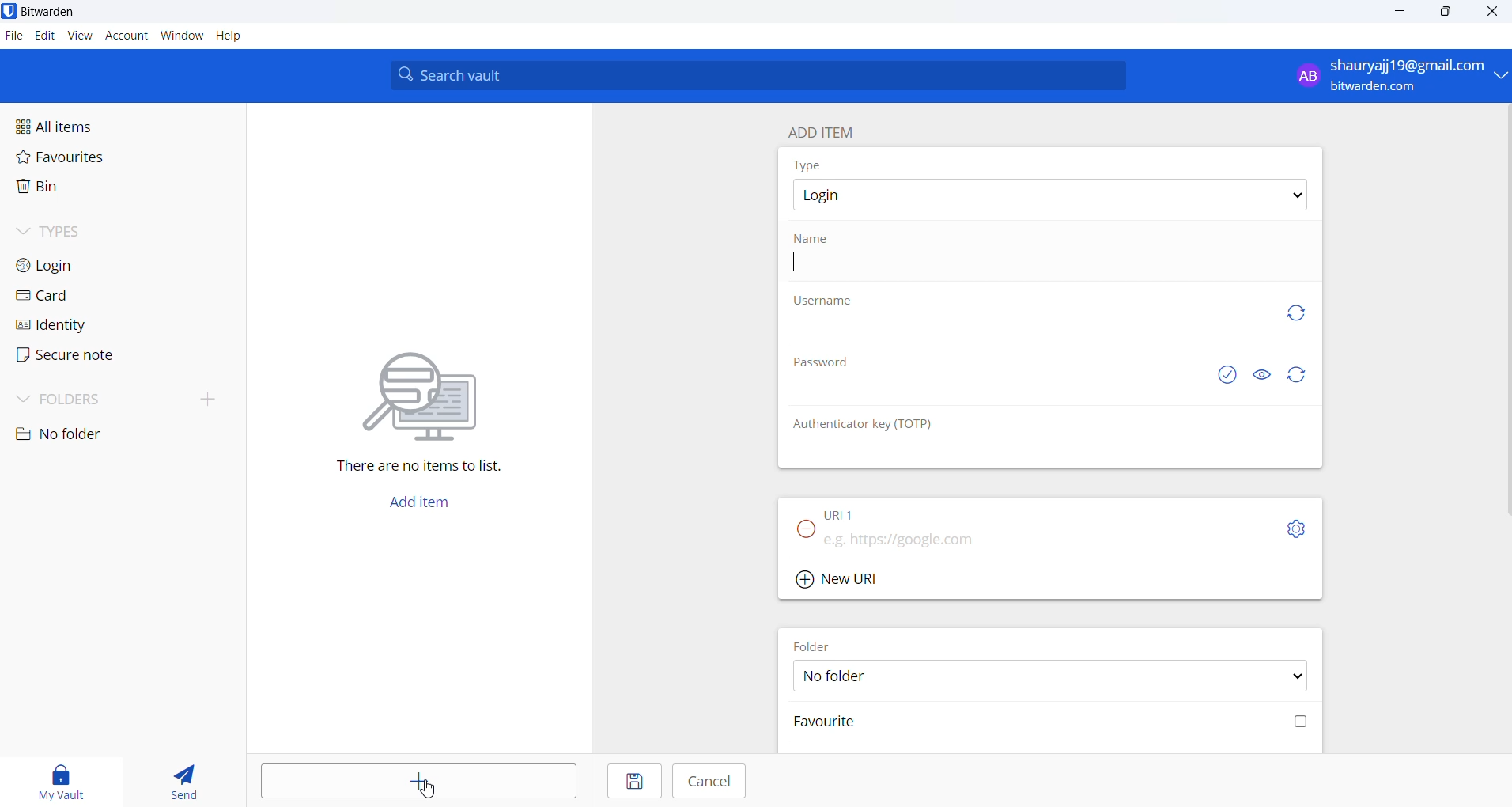  Describe the element at coordinates (840, 577) in the screenshot. I see `Add new URL` at that location.